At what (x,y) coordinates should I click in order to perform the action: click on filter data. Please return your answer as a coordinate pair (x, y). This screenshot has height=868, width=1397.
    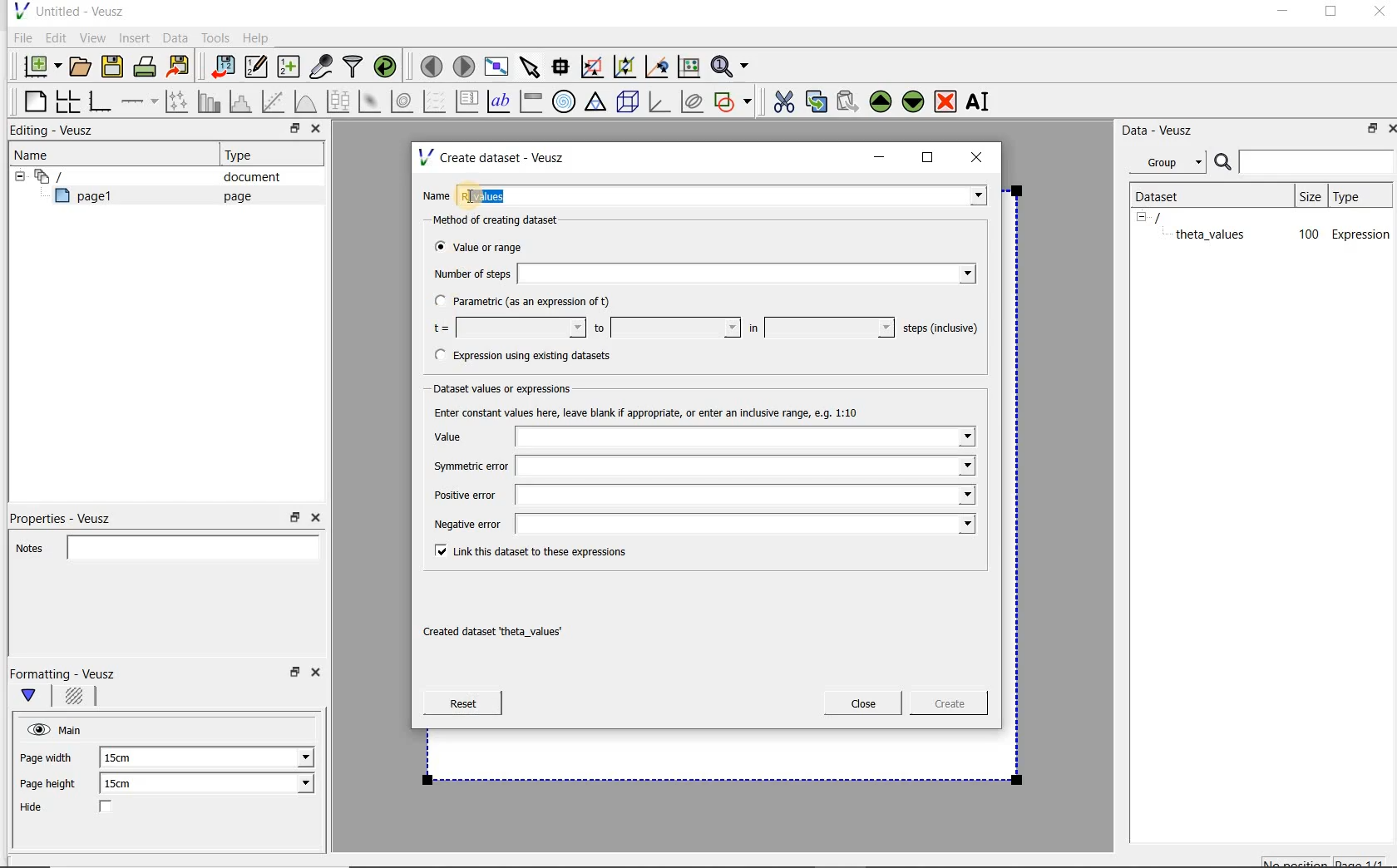
    Looking at the image, I should click on (353, 68).